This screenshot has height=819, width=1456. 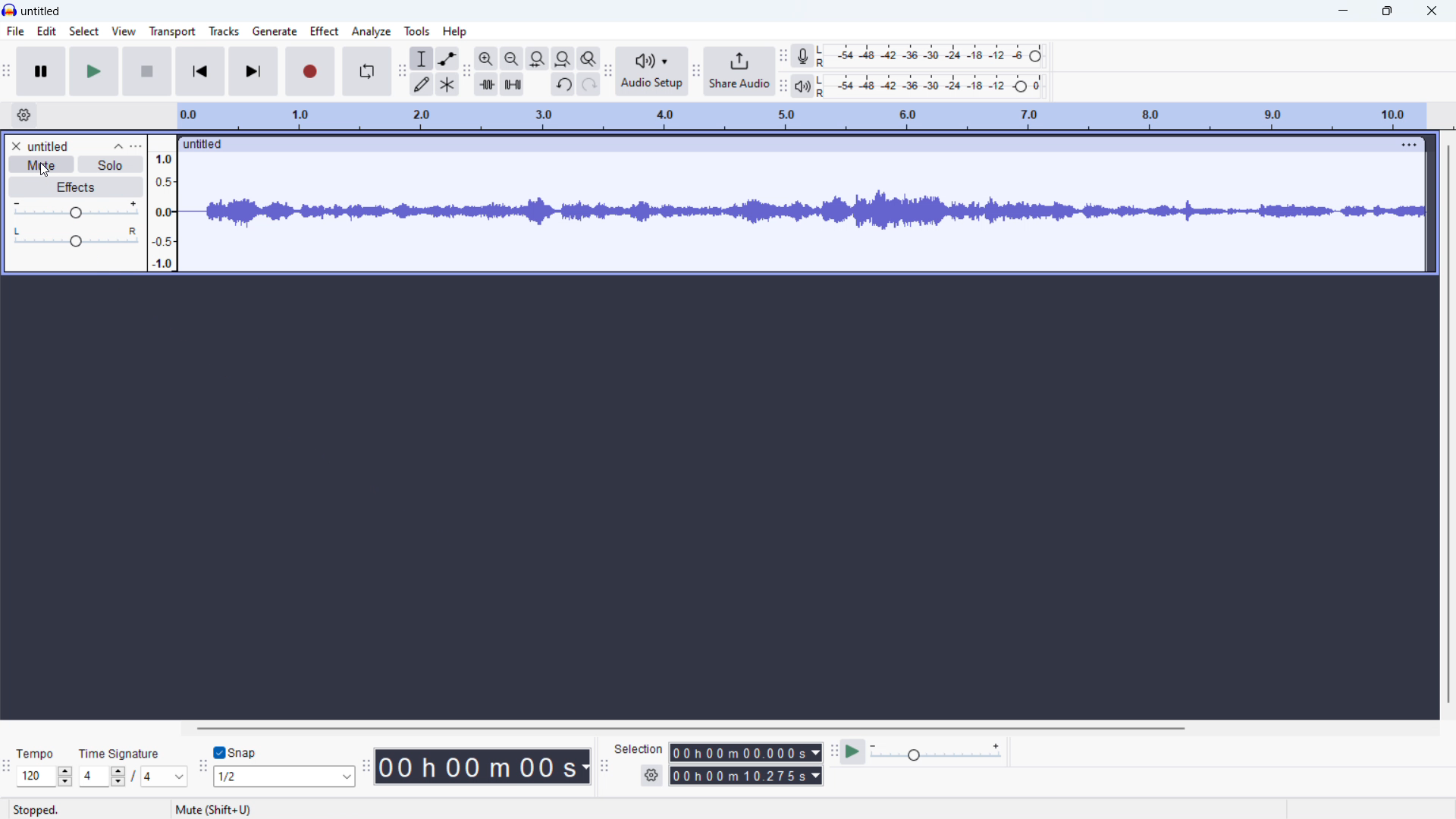 What do you see at coordinates (132, 777) in the screenshot?
I see `set time signature` at bounding box center [132, 777].